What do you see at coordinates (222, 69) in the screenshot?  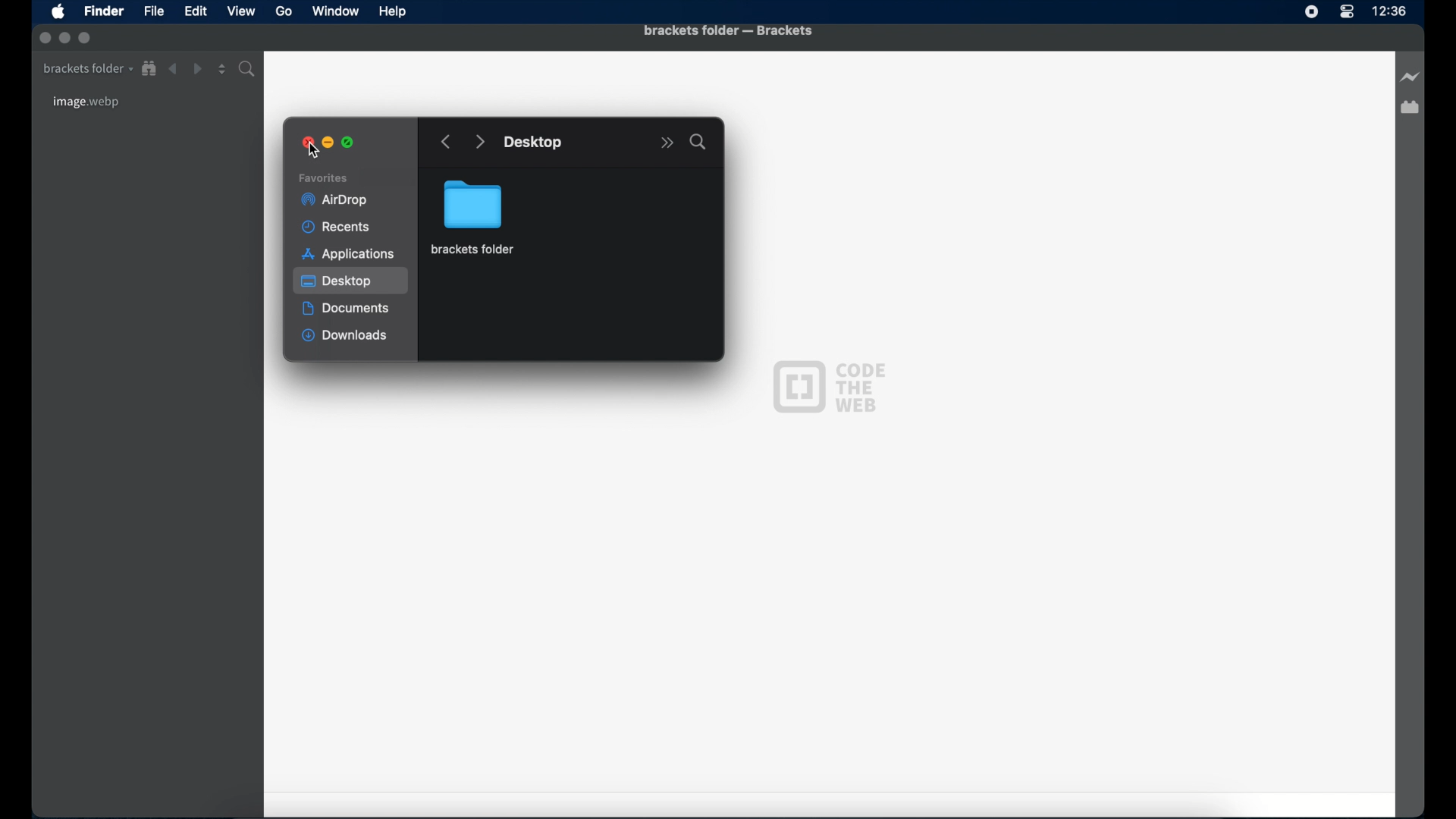 I see `split editor vertical or horizontal` at bounding box center [222, 69].